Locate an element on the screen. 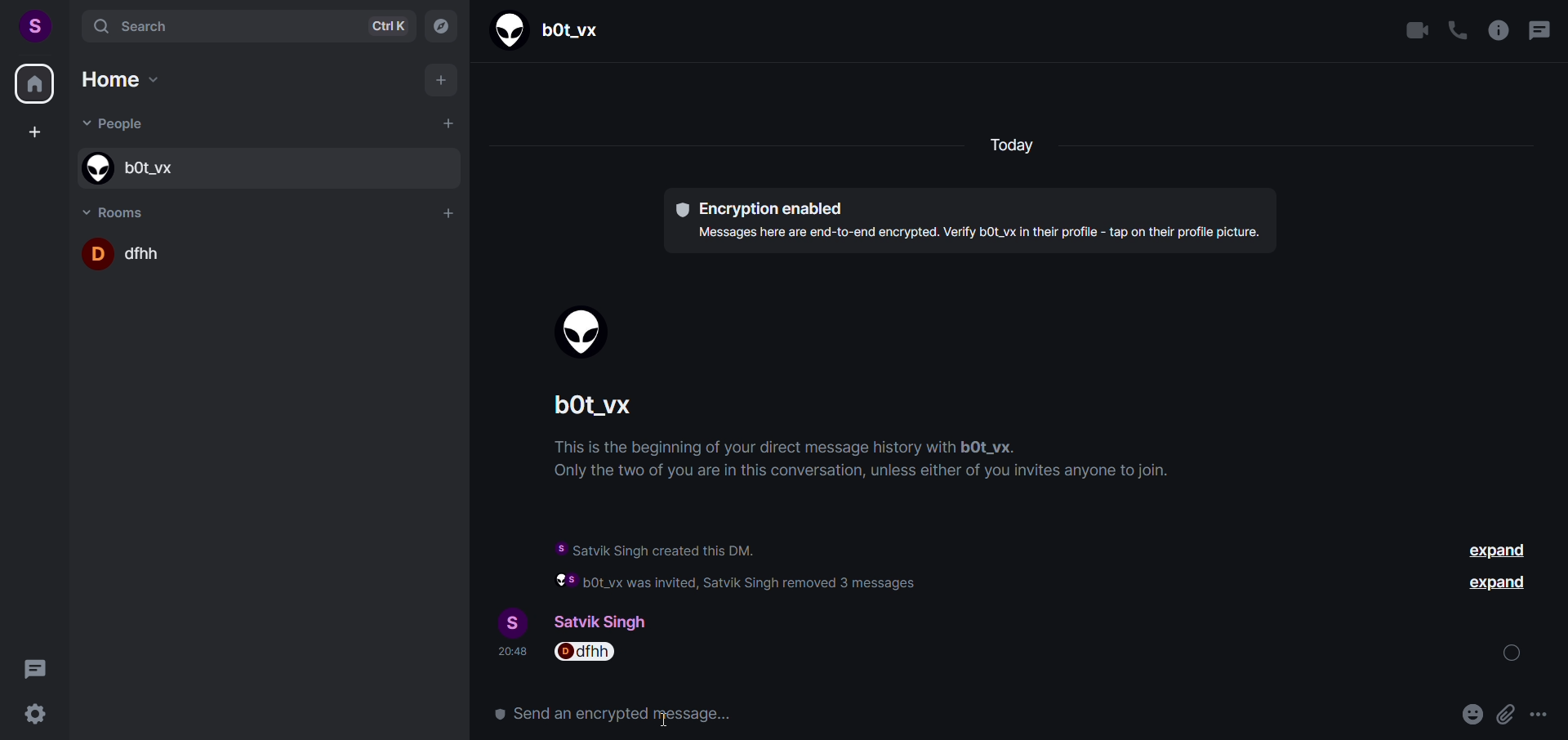 Image resolution: width=1568 pixels, height=740 pixels. display picture is located at coordinates (506, 621).